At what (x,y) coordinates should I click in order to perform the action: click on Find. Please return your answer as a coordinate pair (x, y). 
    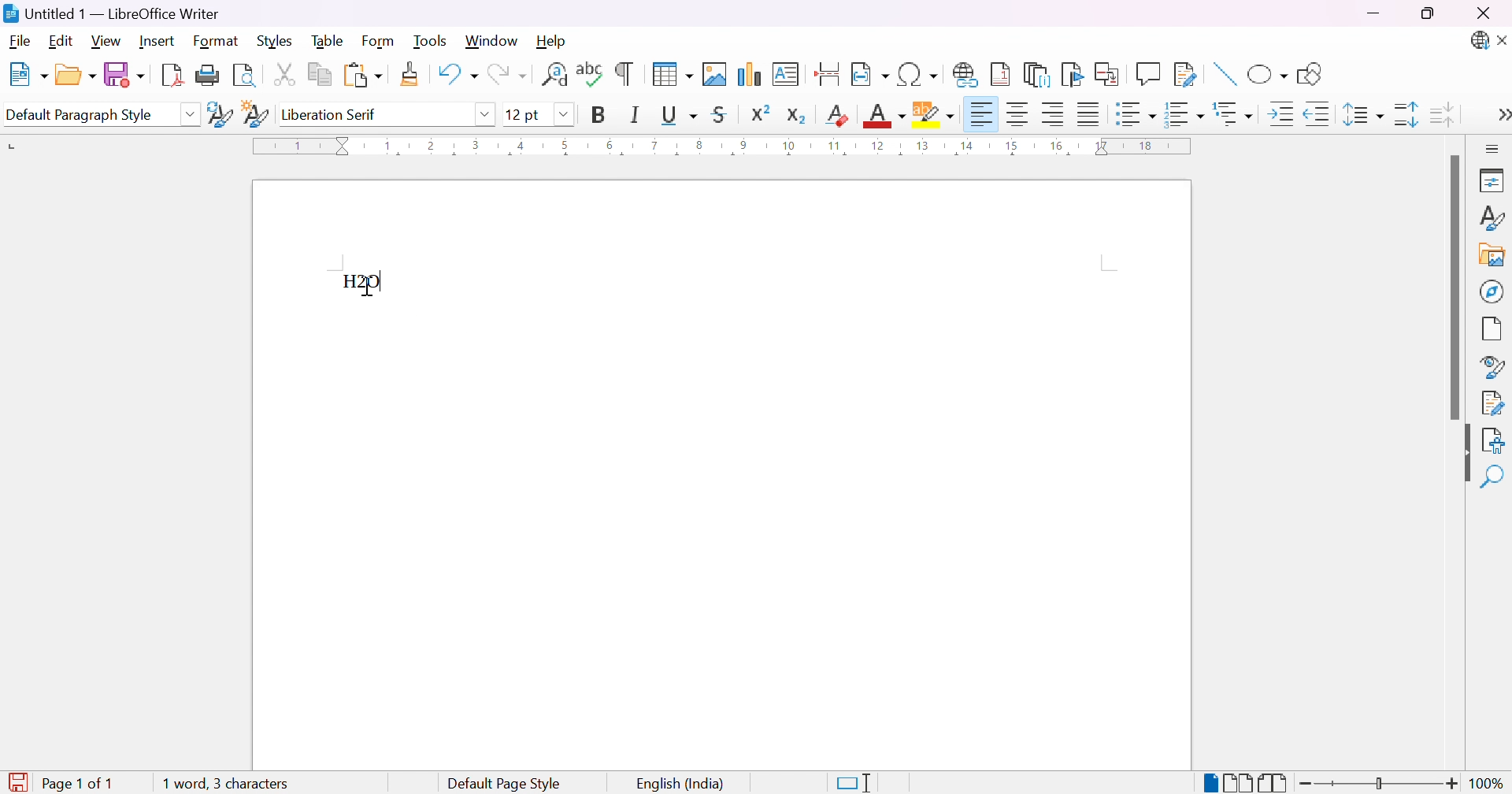
    Looking at the image, I should click on (1492, 478).